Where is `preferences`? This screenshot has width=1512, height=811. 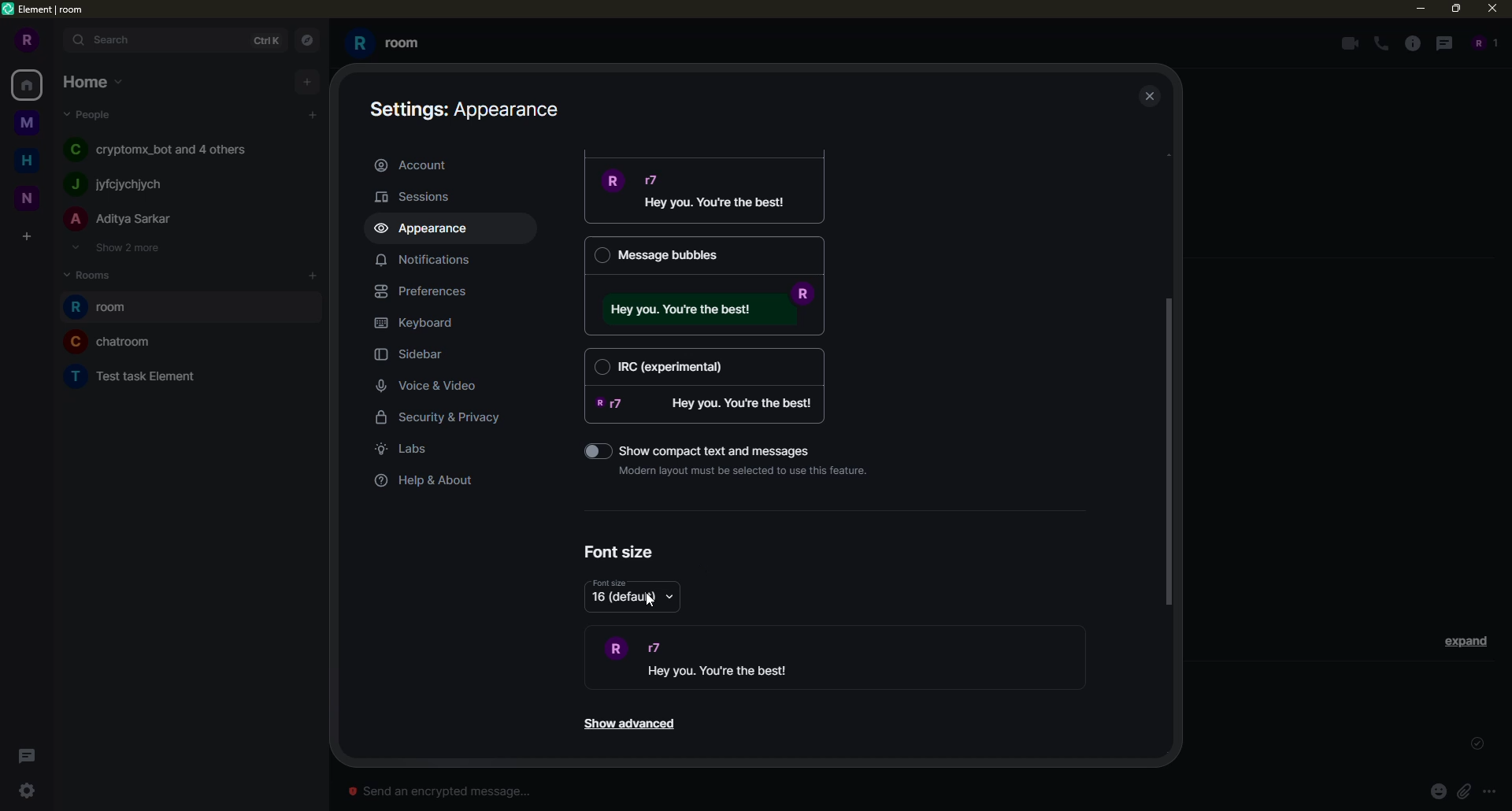 preferences is located at coordinates (428, 291).